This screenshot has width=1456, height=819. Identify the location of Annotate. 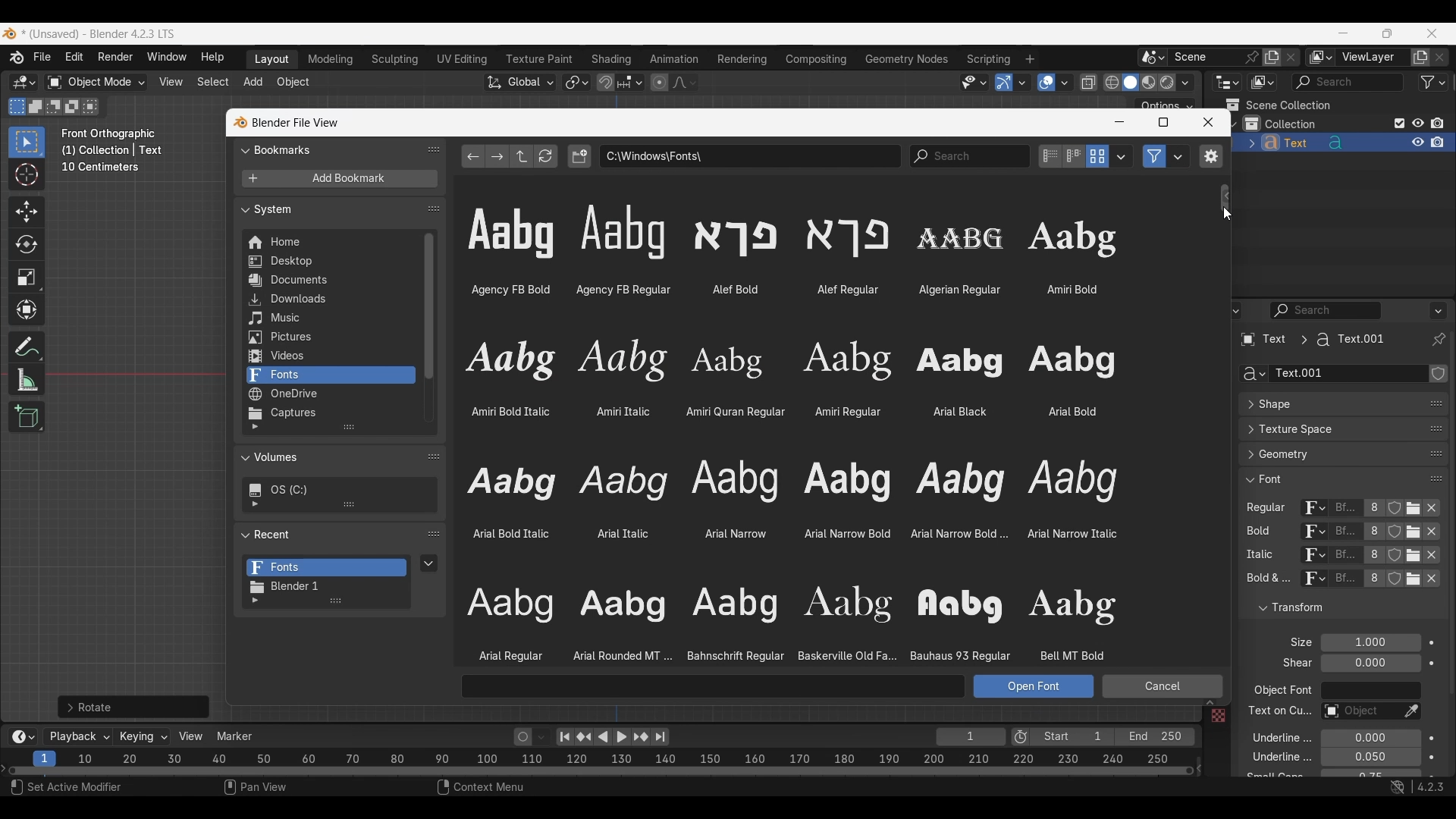
(27, 347).